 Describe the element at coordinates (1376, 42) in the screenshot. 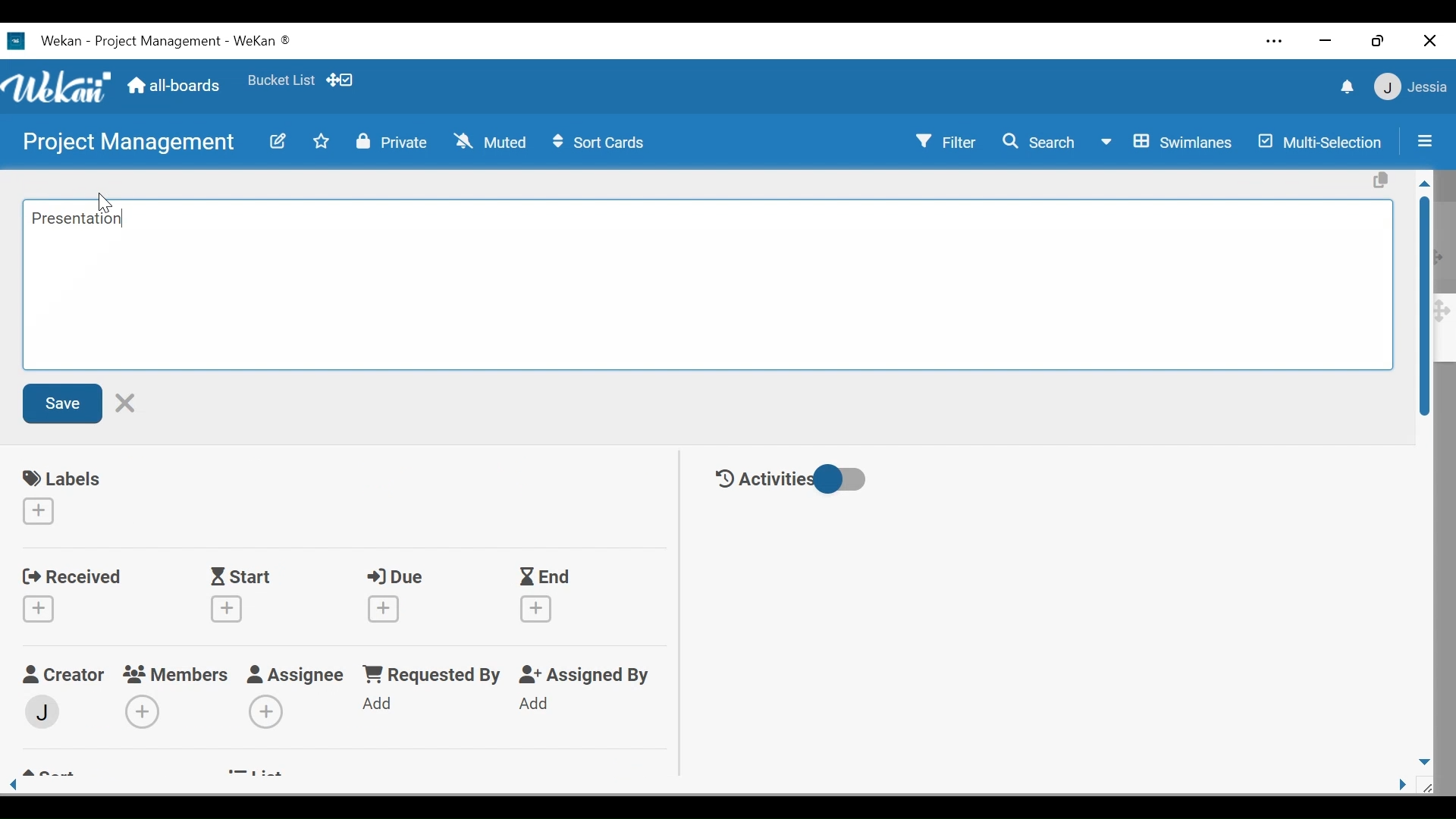

I see `Restore` at that location.